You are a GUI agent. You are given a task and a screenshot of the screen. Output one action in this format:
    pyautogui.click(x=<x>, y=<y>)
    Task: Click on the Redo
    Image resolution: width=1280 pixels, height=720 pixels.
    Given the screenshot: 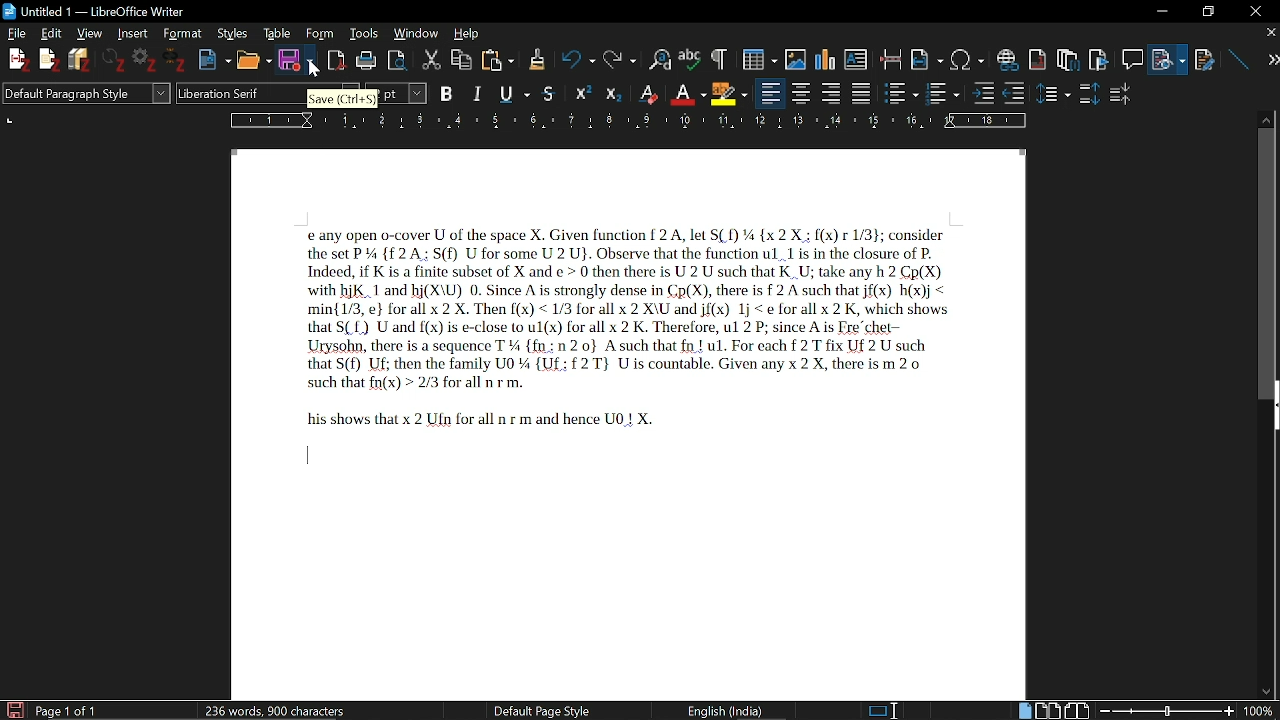 What is the action you would take?
    pyautogui.click(x=617, y=58)
    